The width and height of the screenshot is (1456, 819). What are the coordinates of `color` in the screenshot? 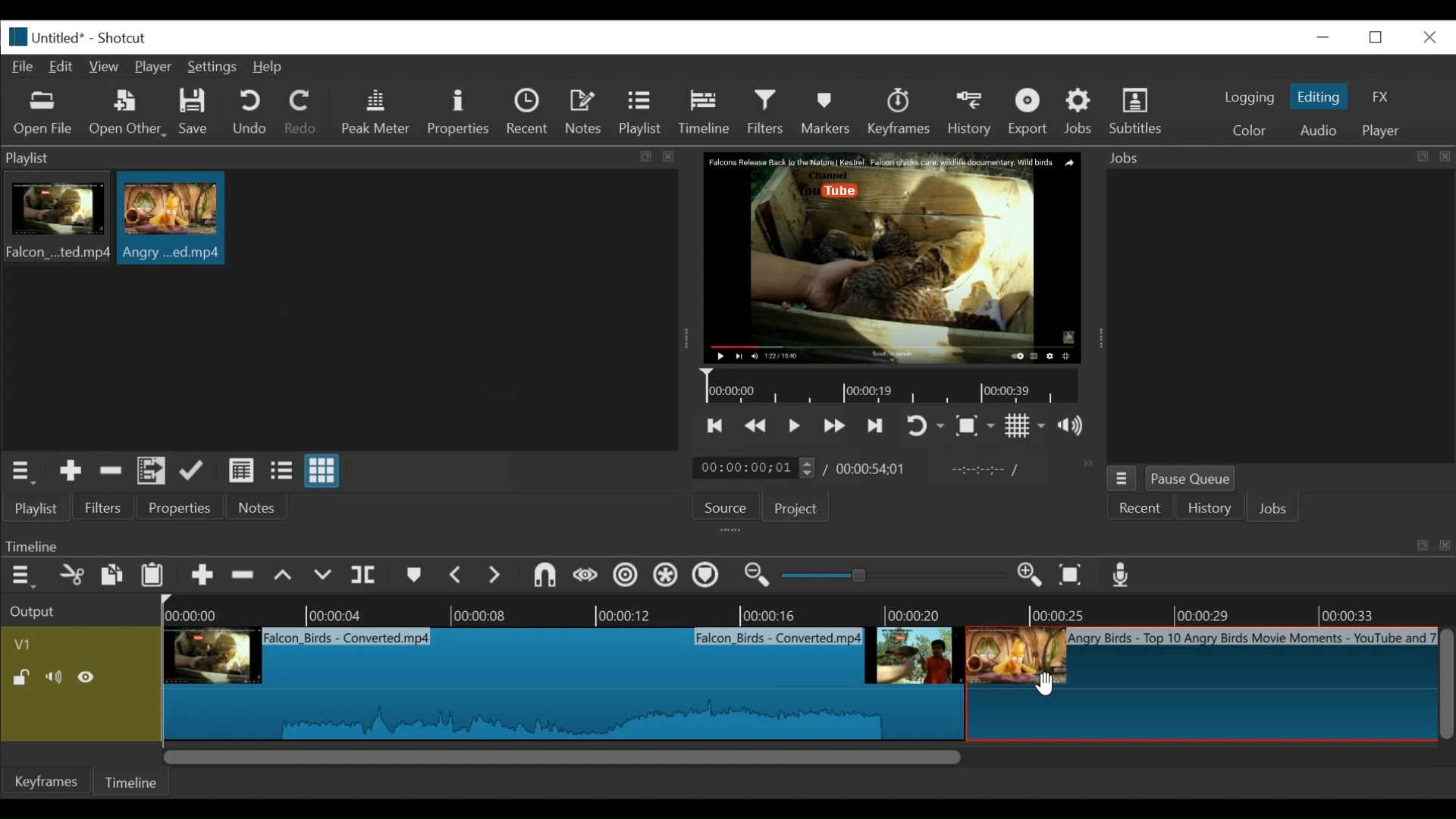 It's located at (1248, 132).